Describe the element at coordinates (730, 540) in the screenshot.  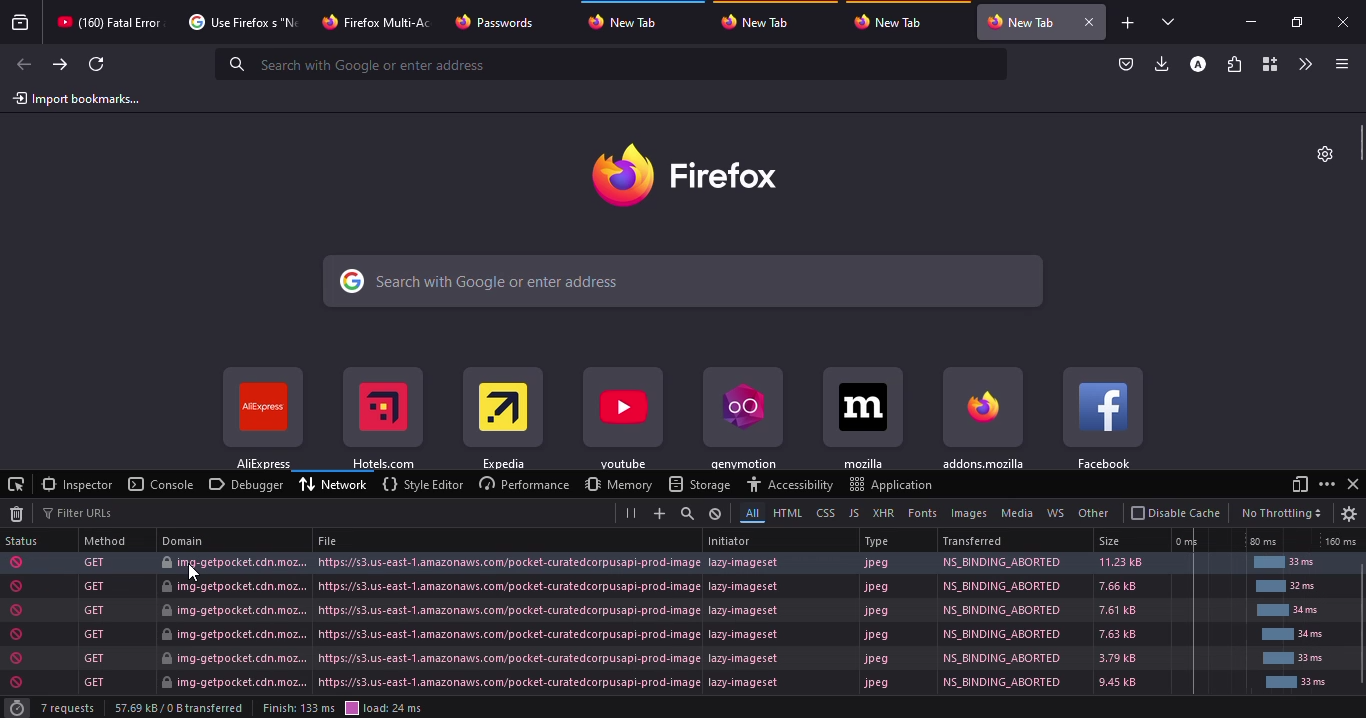
I see `initiator` at that location.